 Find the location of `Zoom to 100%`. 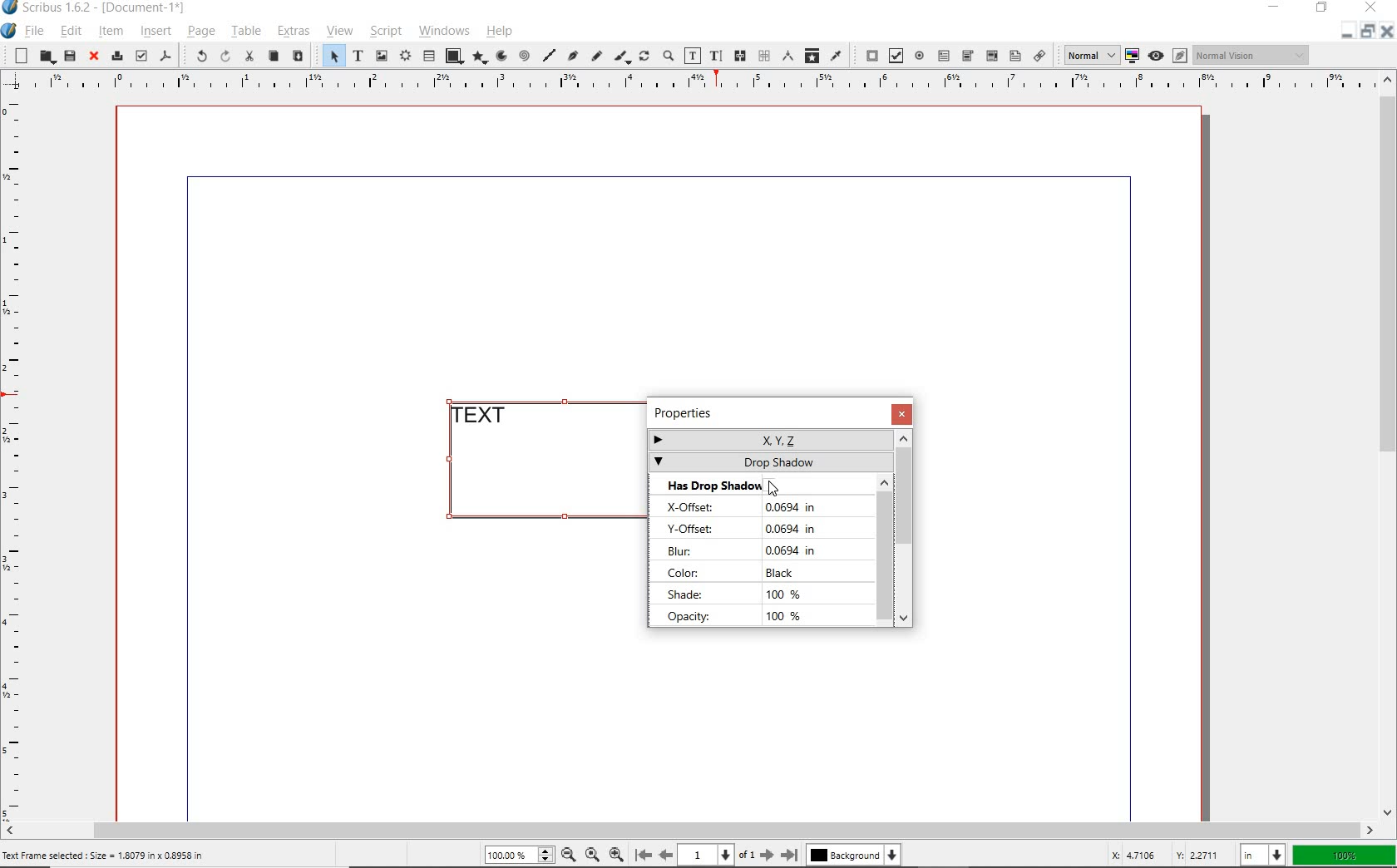

Zoom to 100% is located at coordinates (593, 856).